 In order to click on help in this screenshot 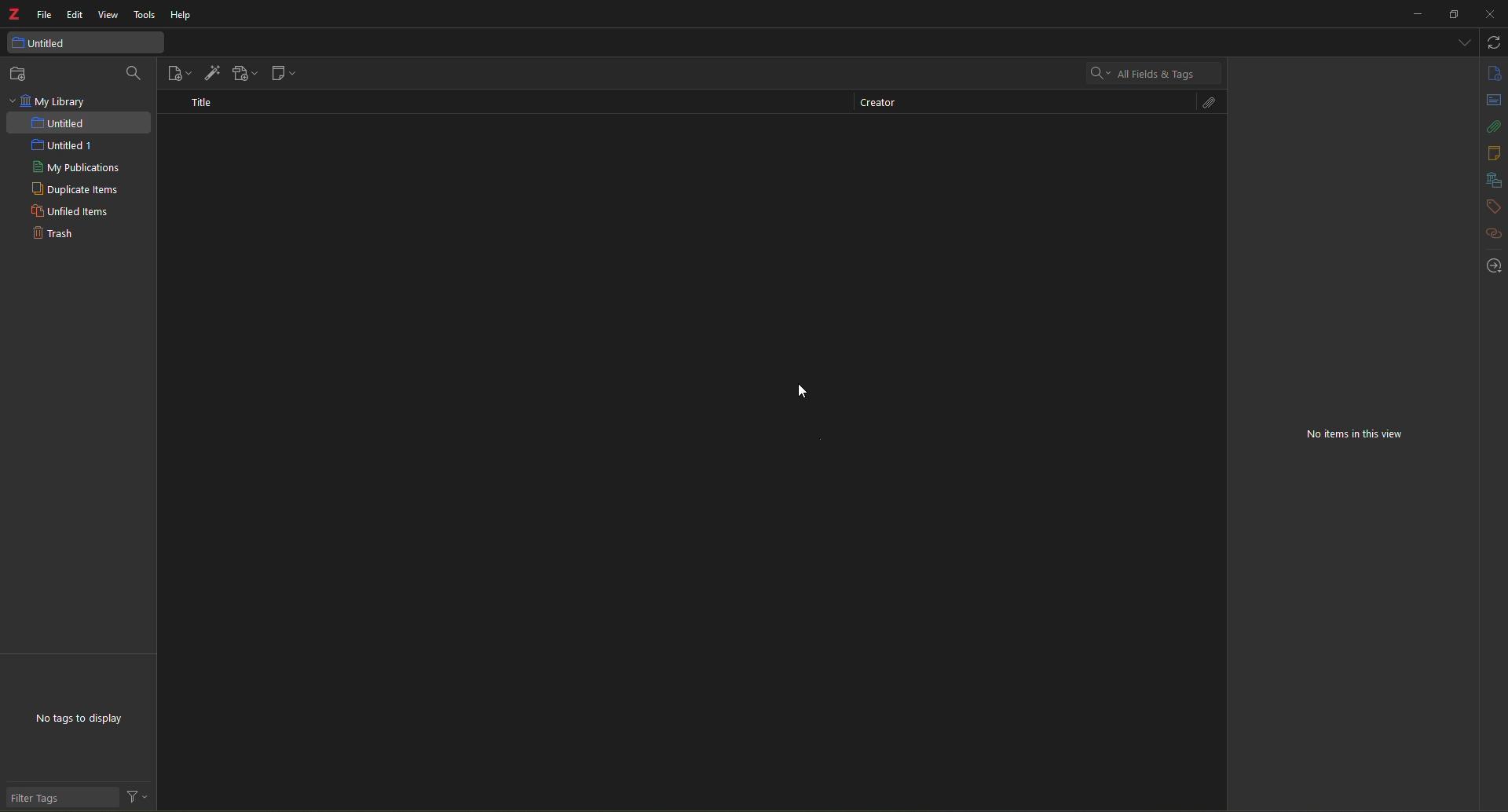, I will do `click(183, 17)`.